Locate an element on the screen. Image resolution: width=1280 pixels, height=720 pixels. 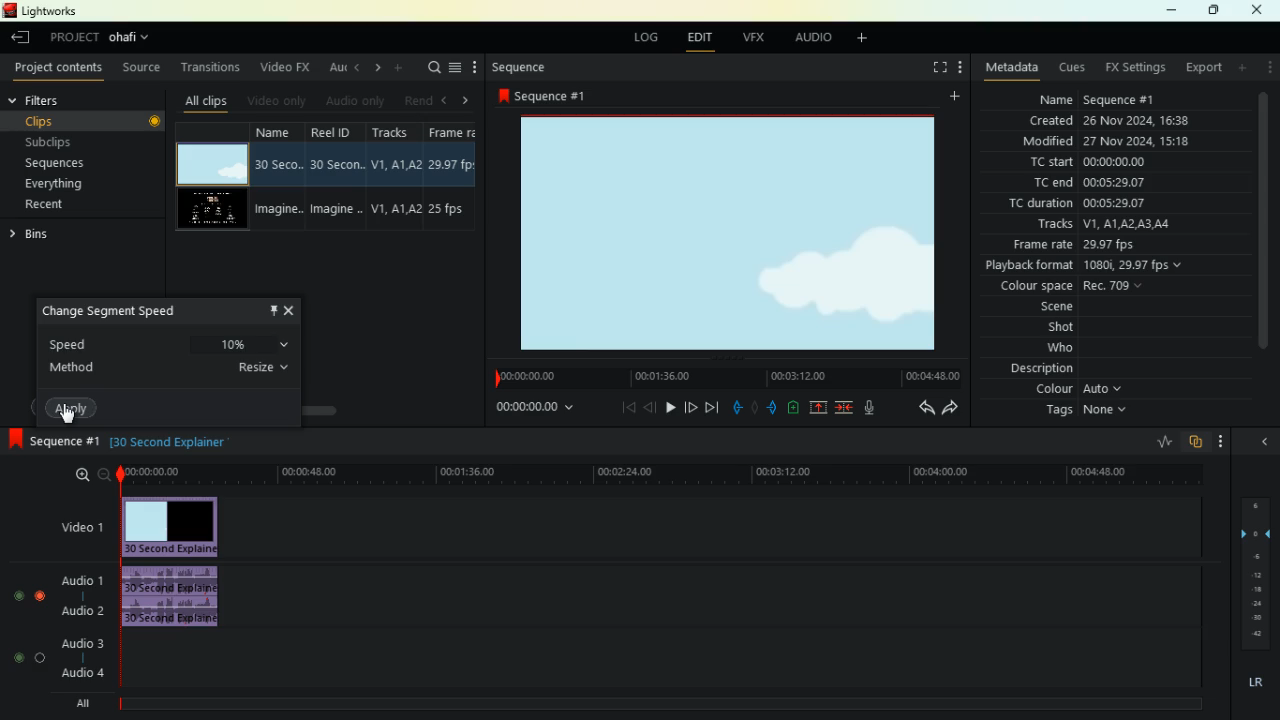
description is located at coordinates (1042, 369).